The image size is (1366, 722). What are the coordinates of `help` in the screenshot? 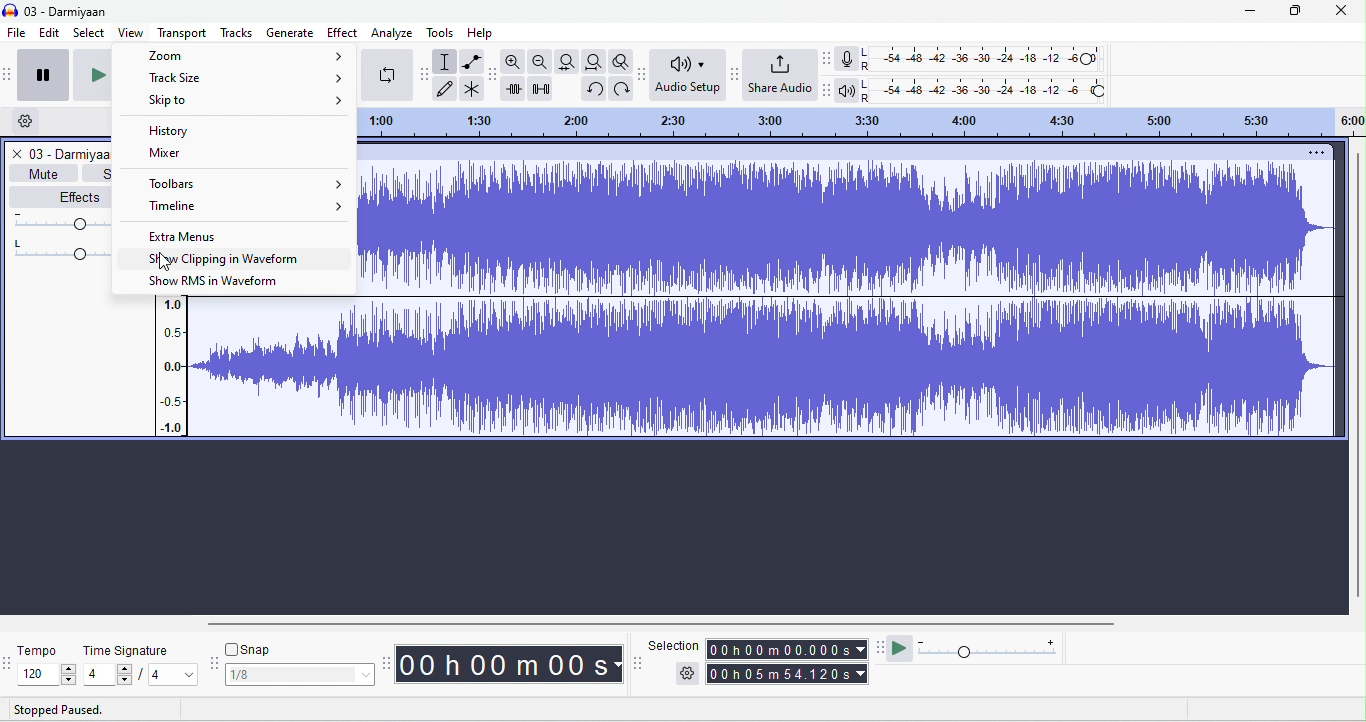 It's located at (482, 33).